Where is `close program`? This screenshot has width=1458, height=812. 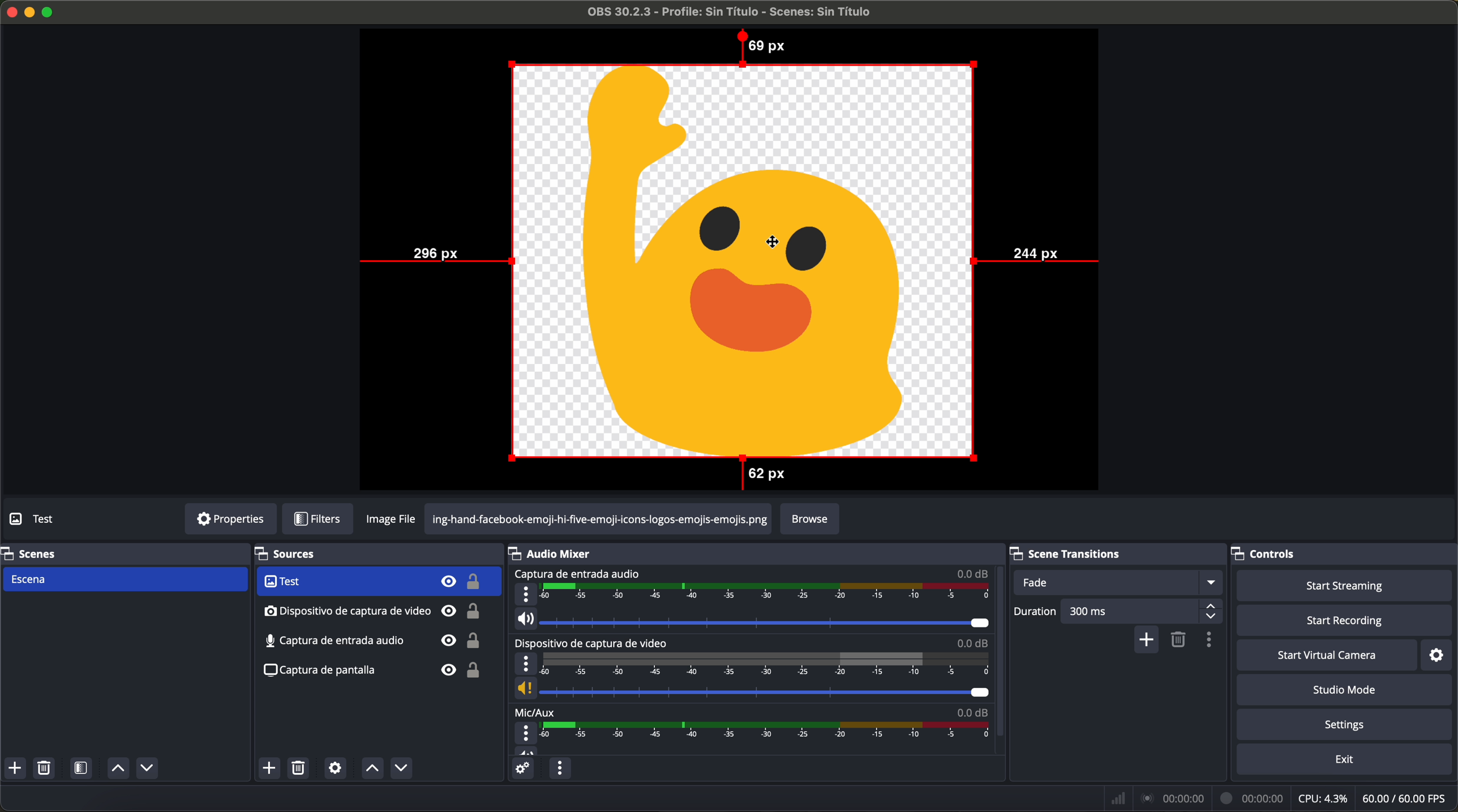 close program is located at coordinates (10, 11).